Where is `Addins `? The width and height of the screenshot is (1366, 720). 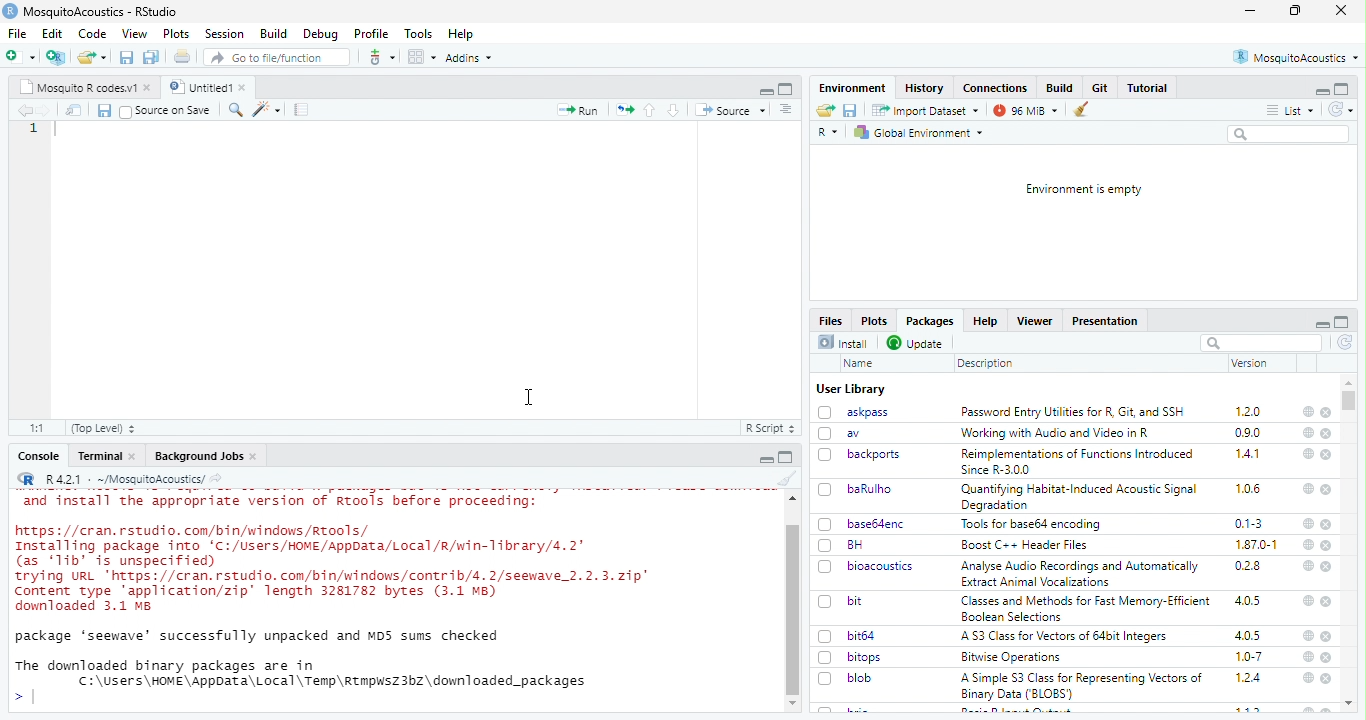 Addins  is located at coordinates (468, 58).